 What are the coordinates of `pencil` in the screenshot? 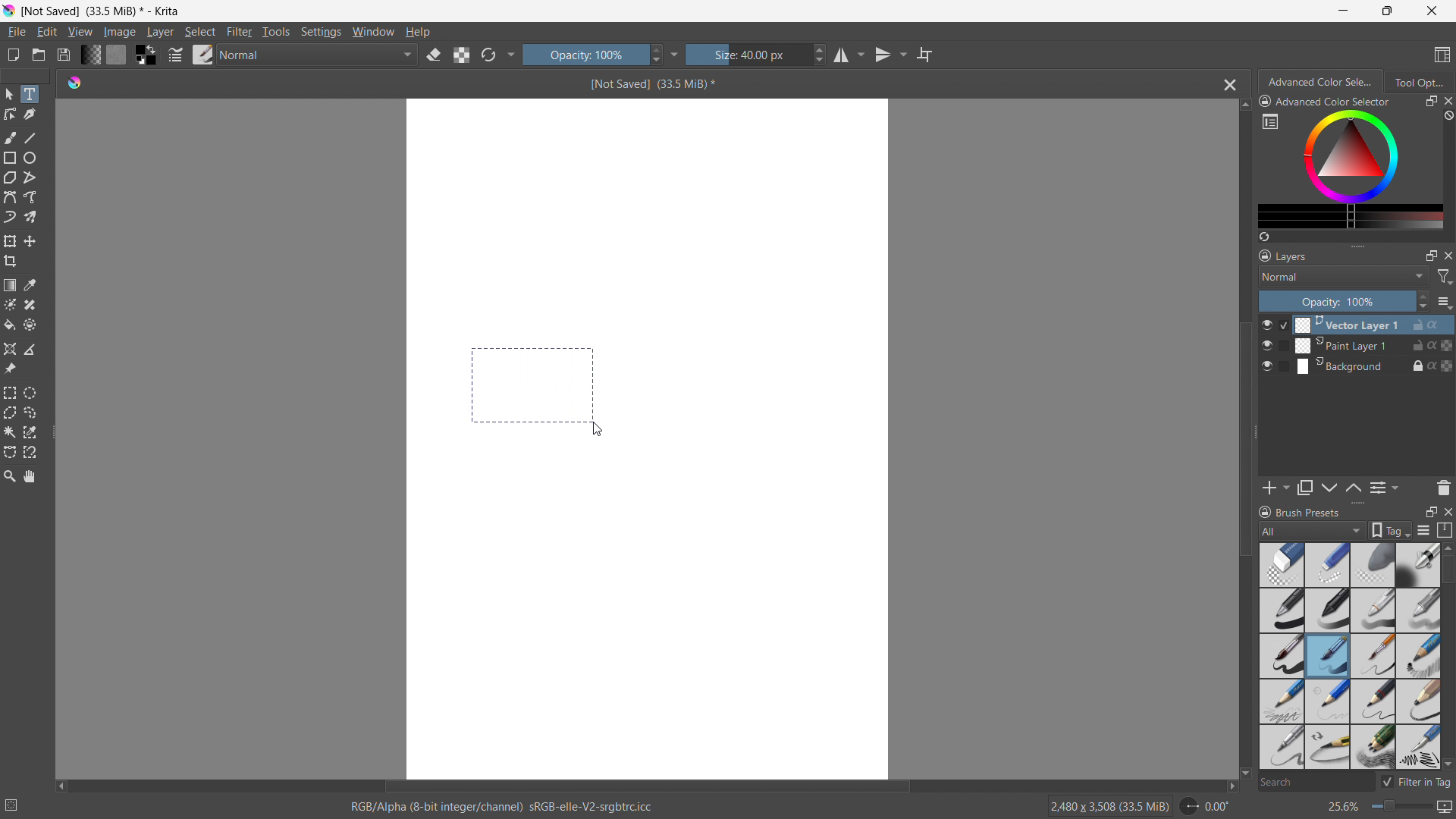 It's located at (1373, 610).